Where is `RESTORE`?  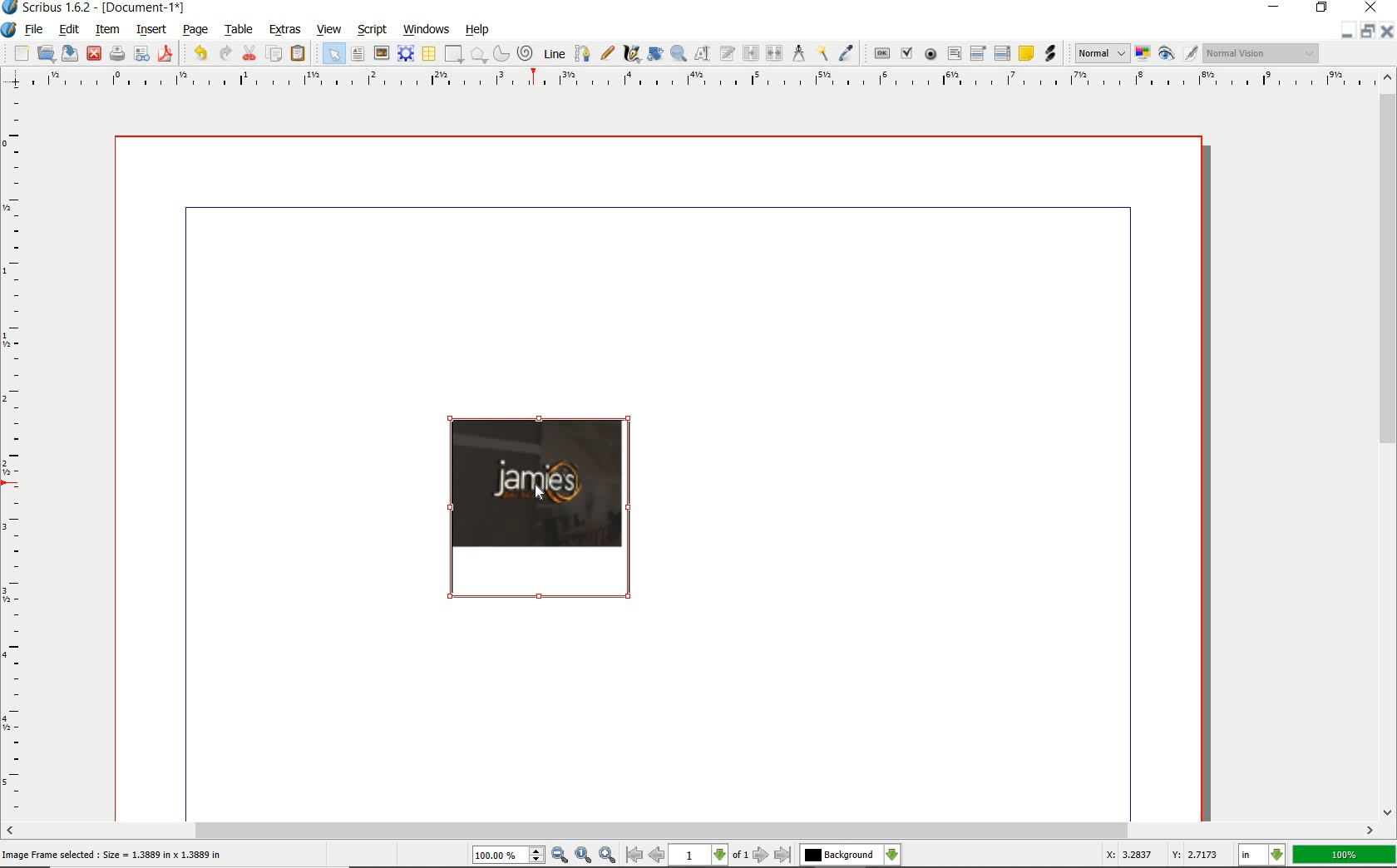
RESTORE is located at coordinates (1322, 8).